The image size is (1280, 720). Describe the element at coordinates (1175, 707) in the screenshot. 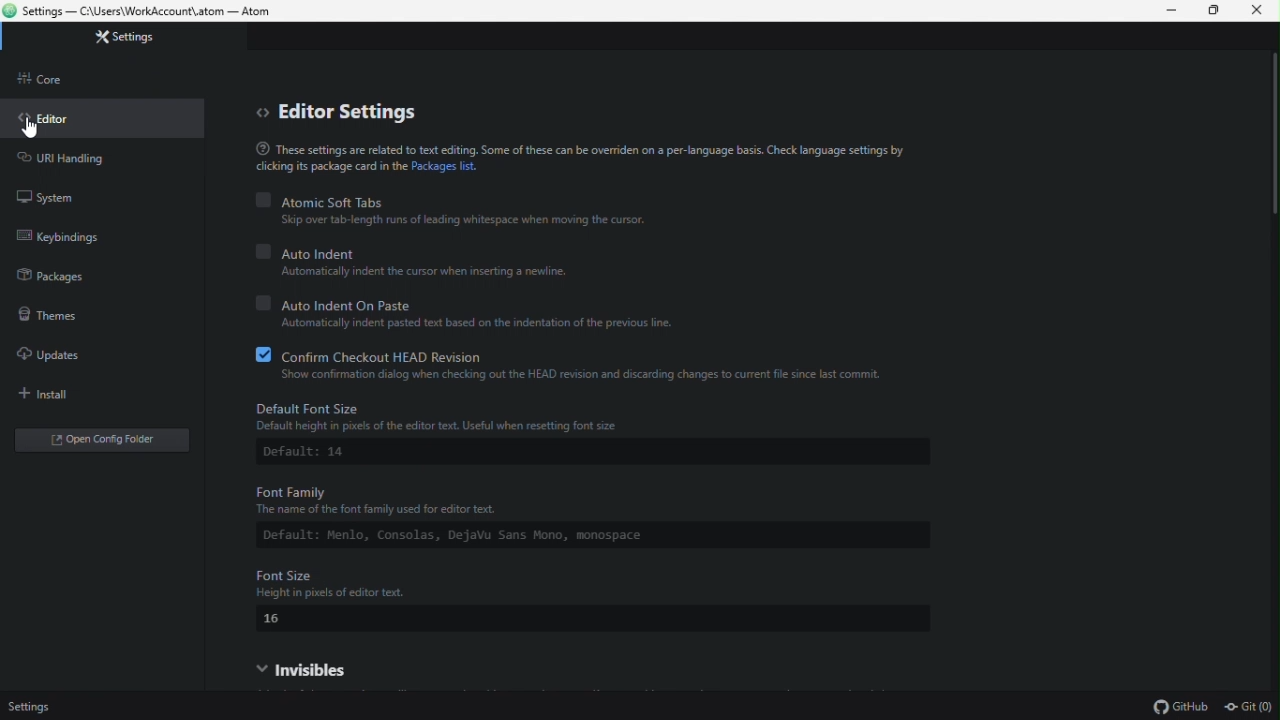

I see `github` at that location.